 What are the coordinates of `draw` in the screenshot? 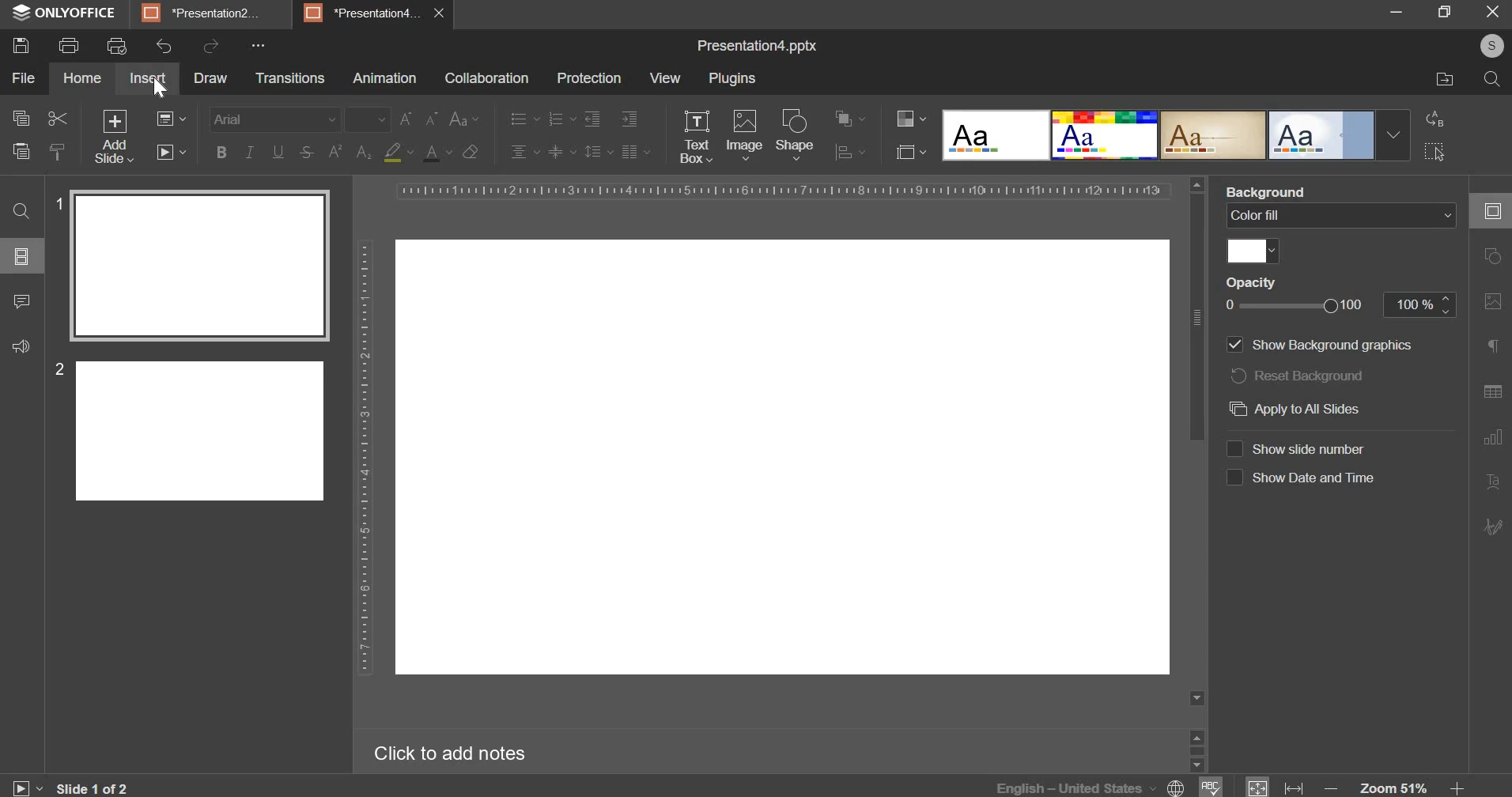 It's located at (211, 77).